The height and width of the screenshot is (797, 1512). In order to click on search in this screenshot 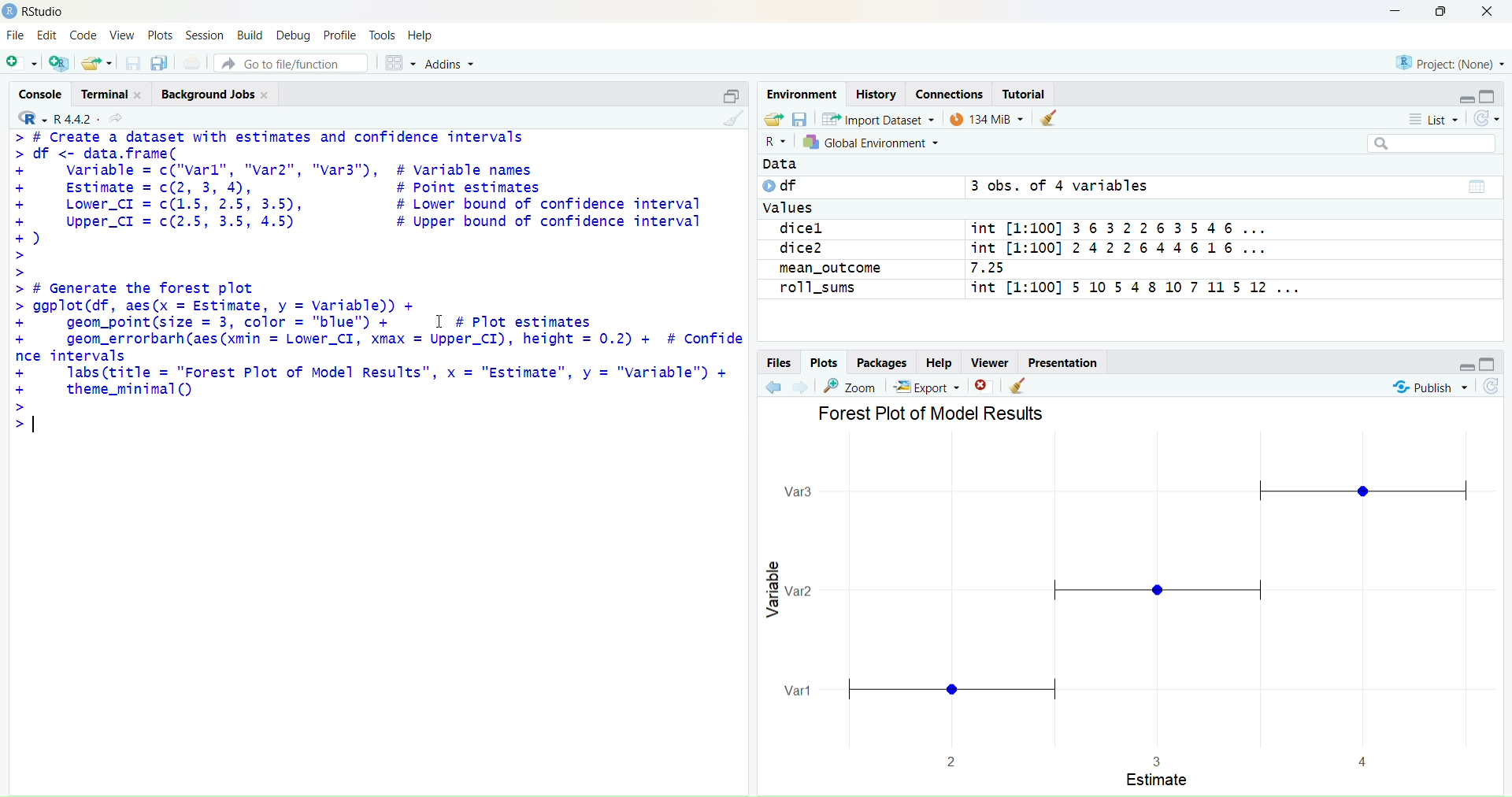, I will do `click(1431, 143)`.